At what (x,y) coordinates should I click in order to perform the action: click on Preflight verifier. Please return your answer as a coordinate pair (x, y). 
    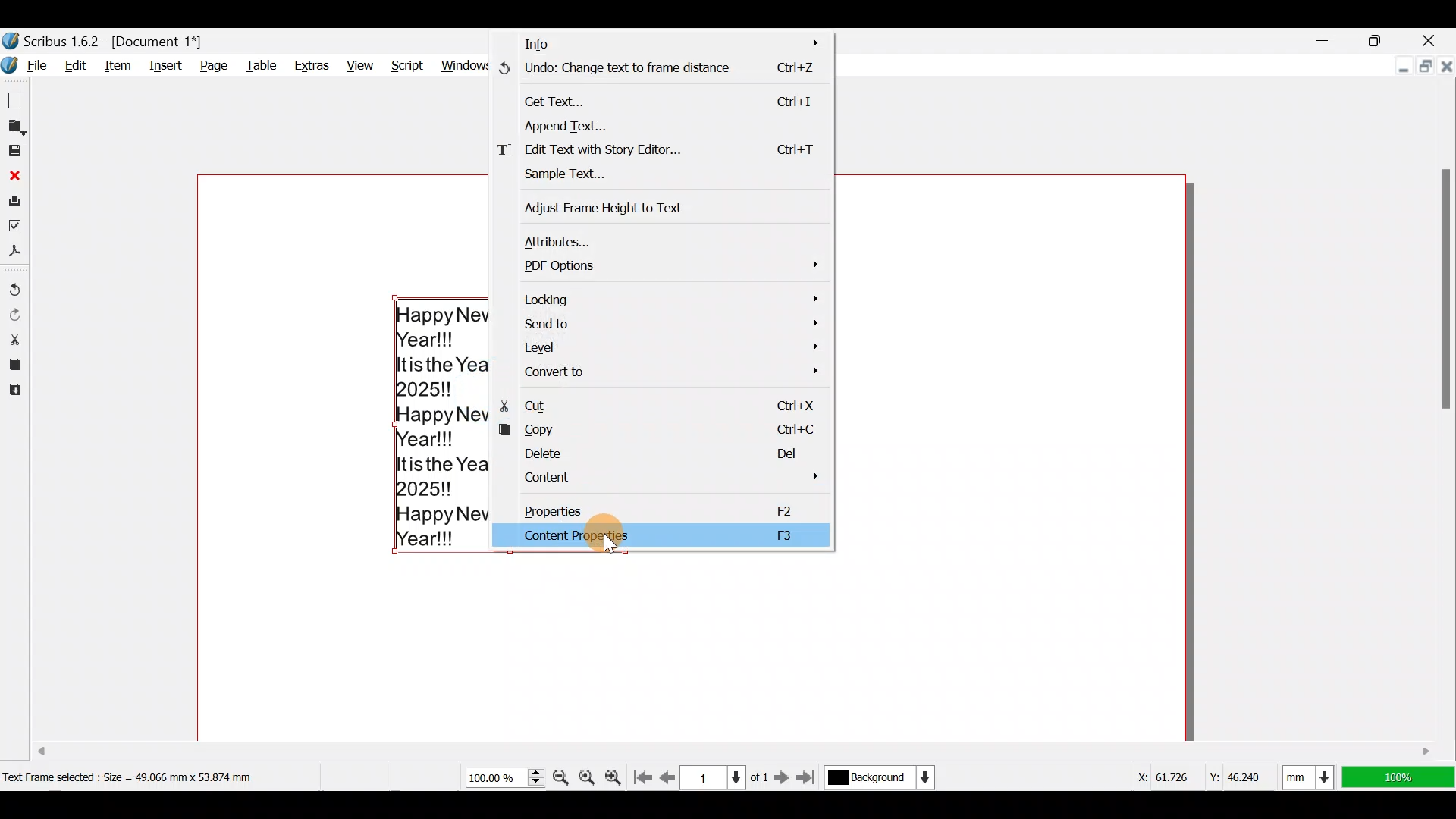
    Looking at the image, I should click on (17, 229).